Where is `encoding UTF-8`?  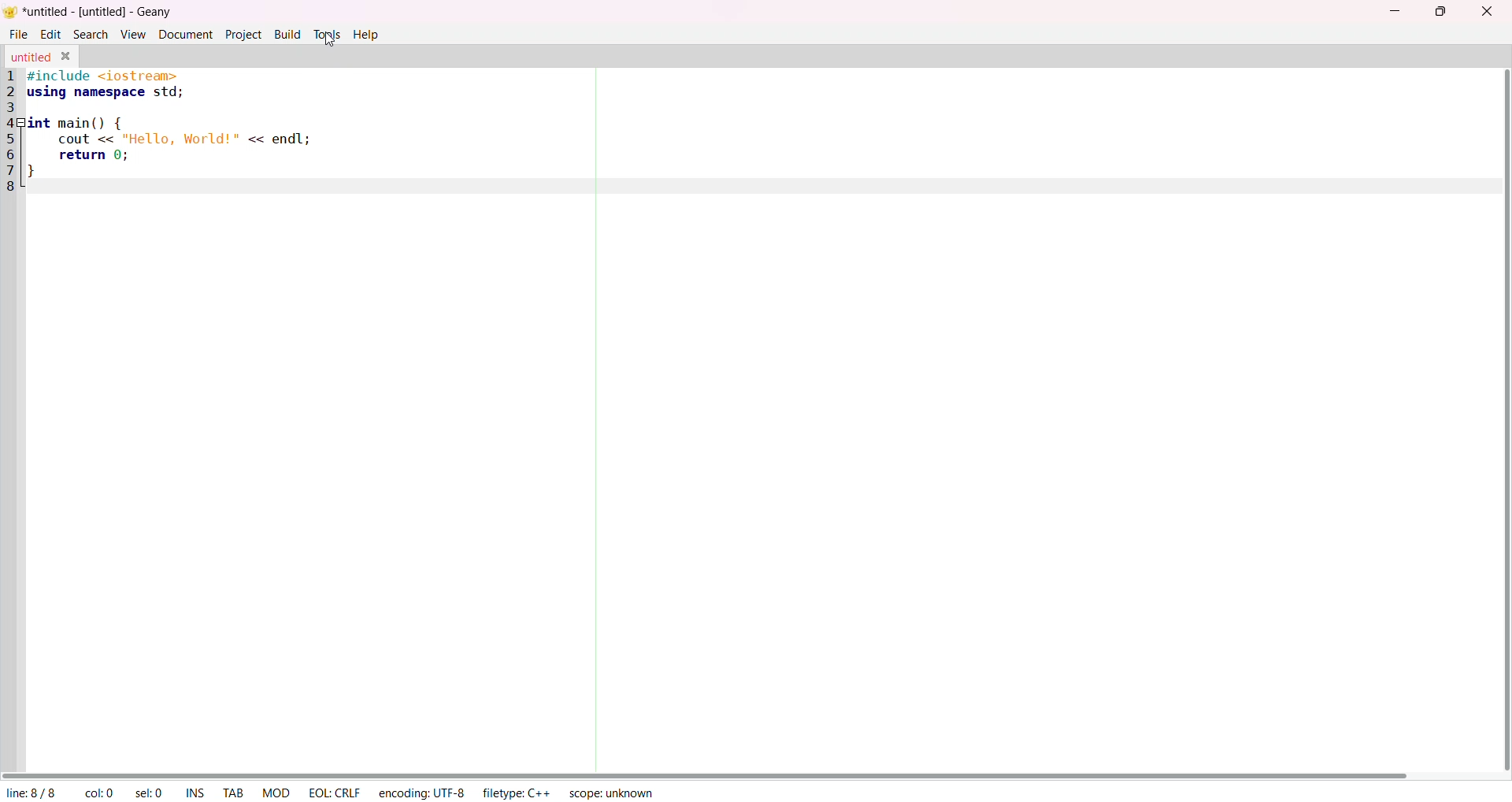 encoding UTF-8 is located at coordinates (423, 792).